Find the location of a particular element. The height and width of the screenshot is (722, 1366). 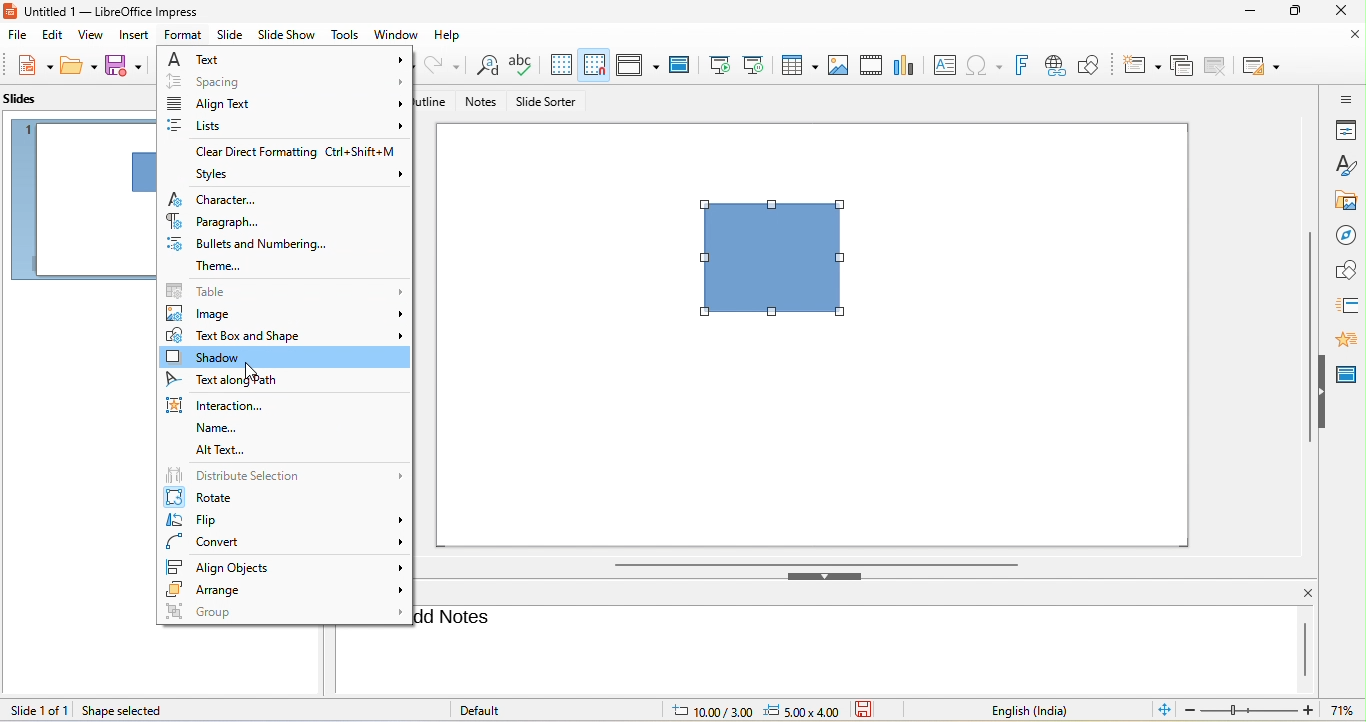

snap to grid is located at coordinates (596, 64).